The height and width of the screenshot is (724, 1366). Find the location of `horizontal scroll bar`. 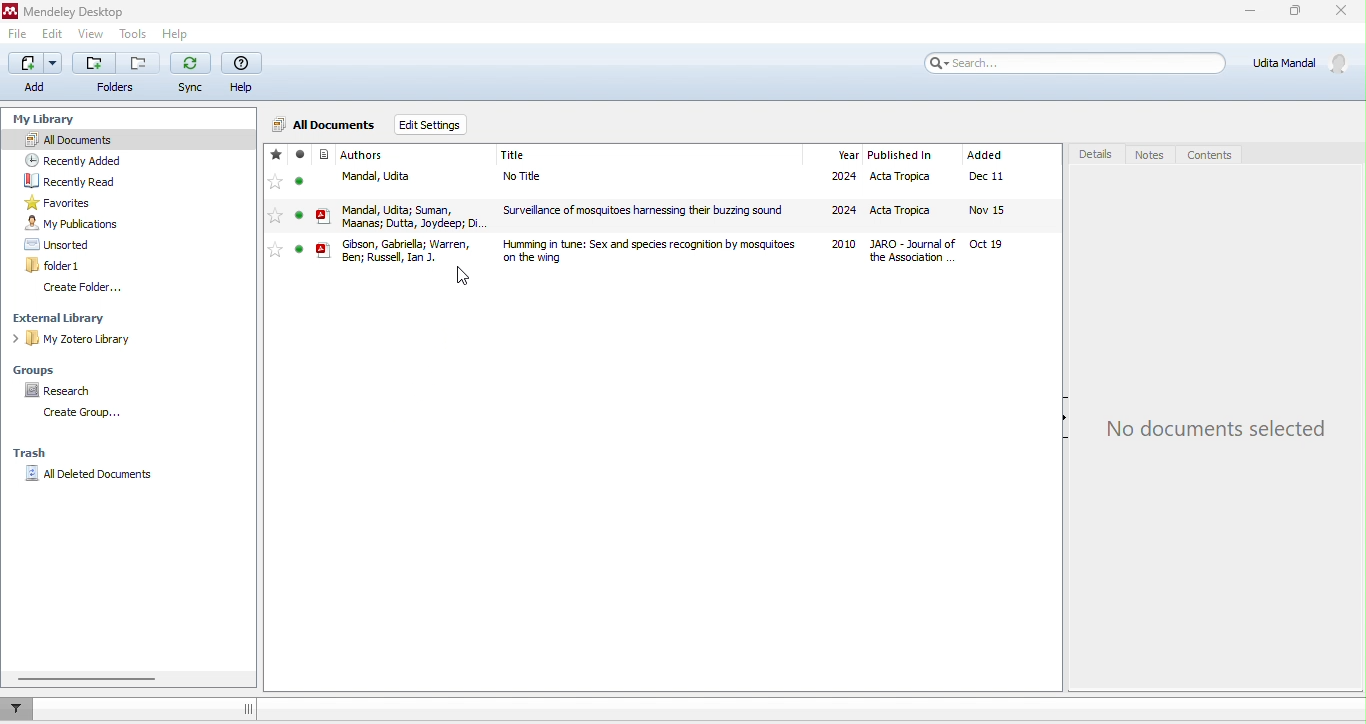

horizontal scroll bar is located at coordinates (91, 679).